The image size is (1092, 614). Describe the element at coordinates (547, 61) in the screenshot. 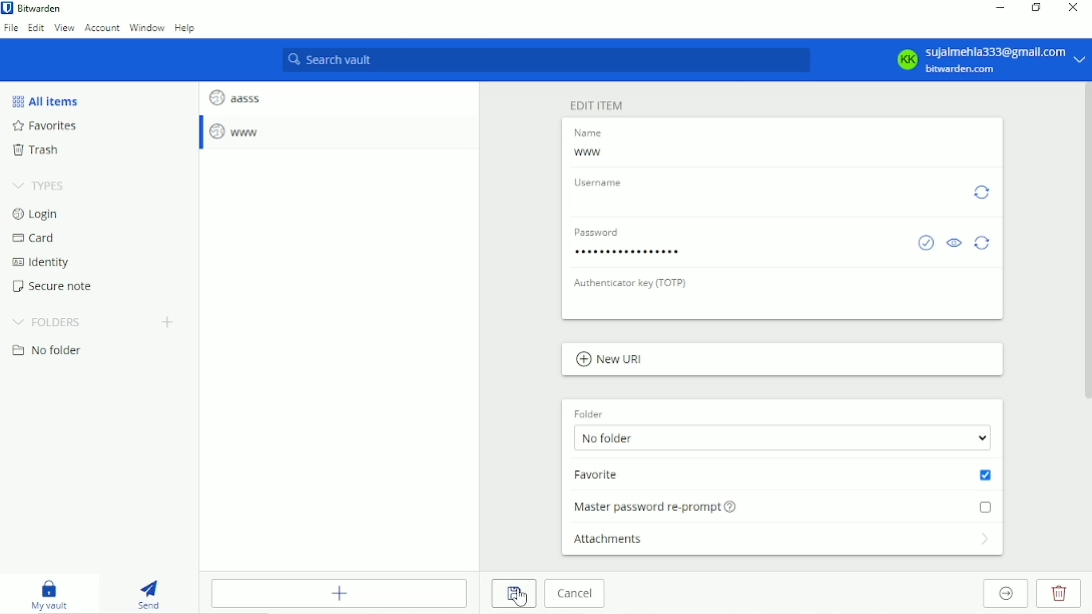

I see `Search vault` at that location.